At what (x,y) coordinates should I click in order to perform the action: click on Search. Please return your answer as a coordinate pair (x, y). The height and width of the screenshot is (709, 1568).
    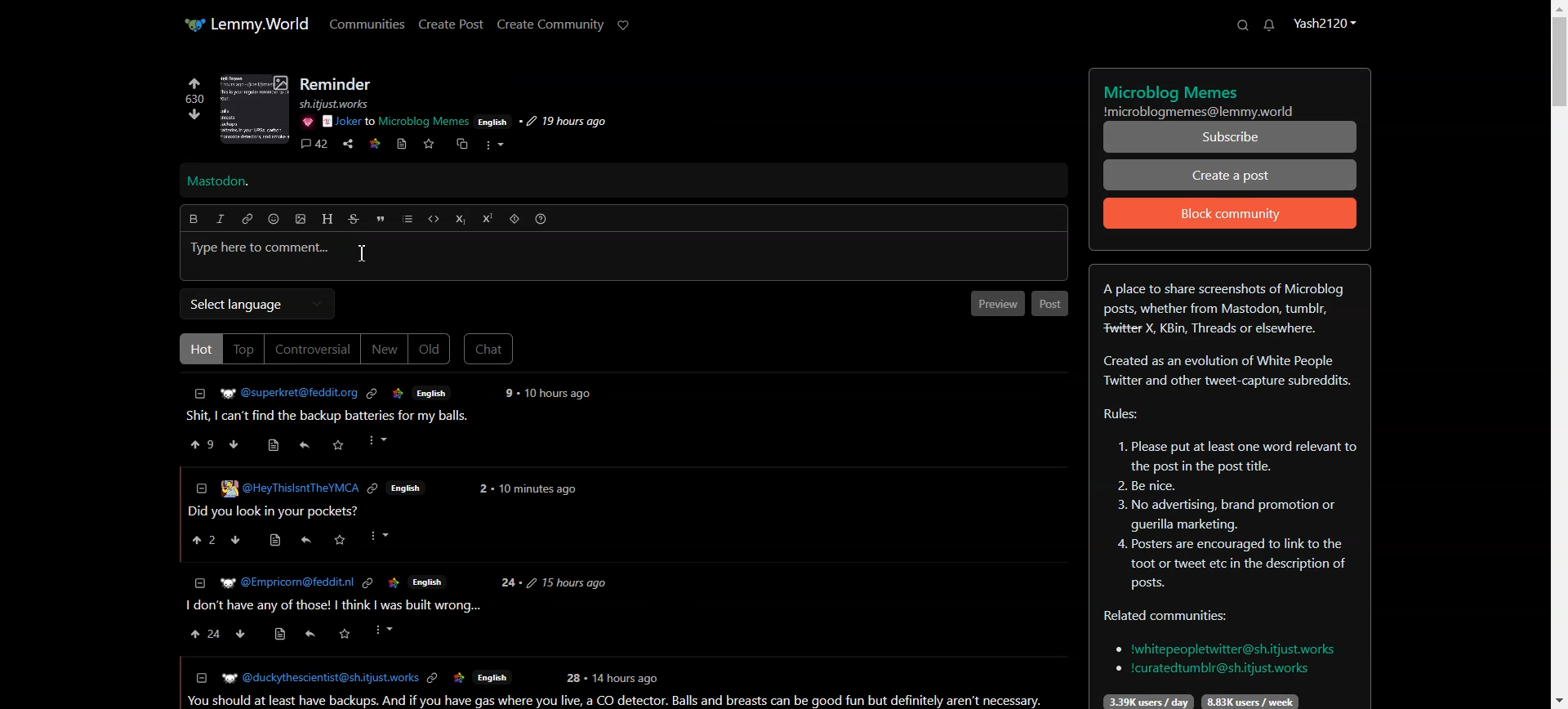
    Looking at the image, I should click on (1242, 25).